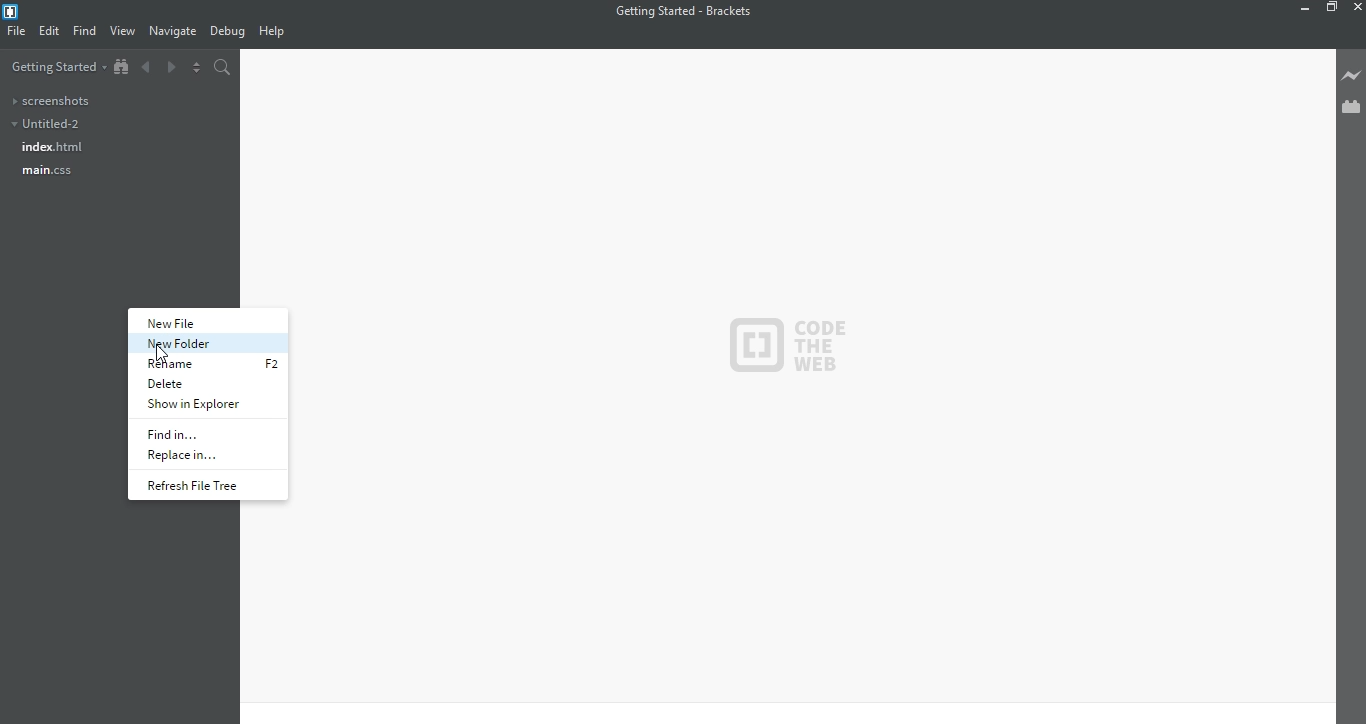  I want to click on restore, so click(1333, 9).